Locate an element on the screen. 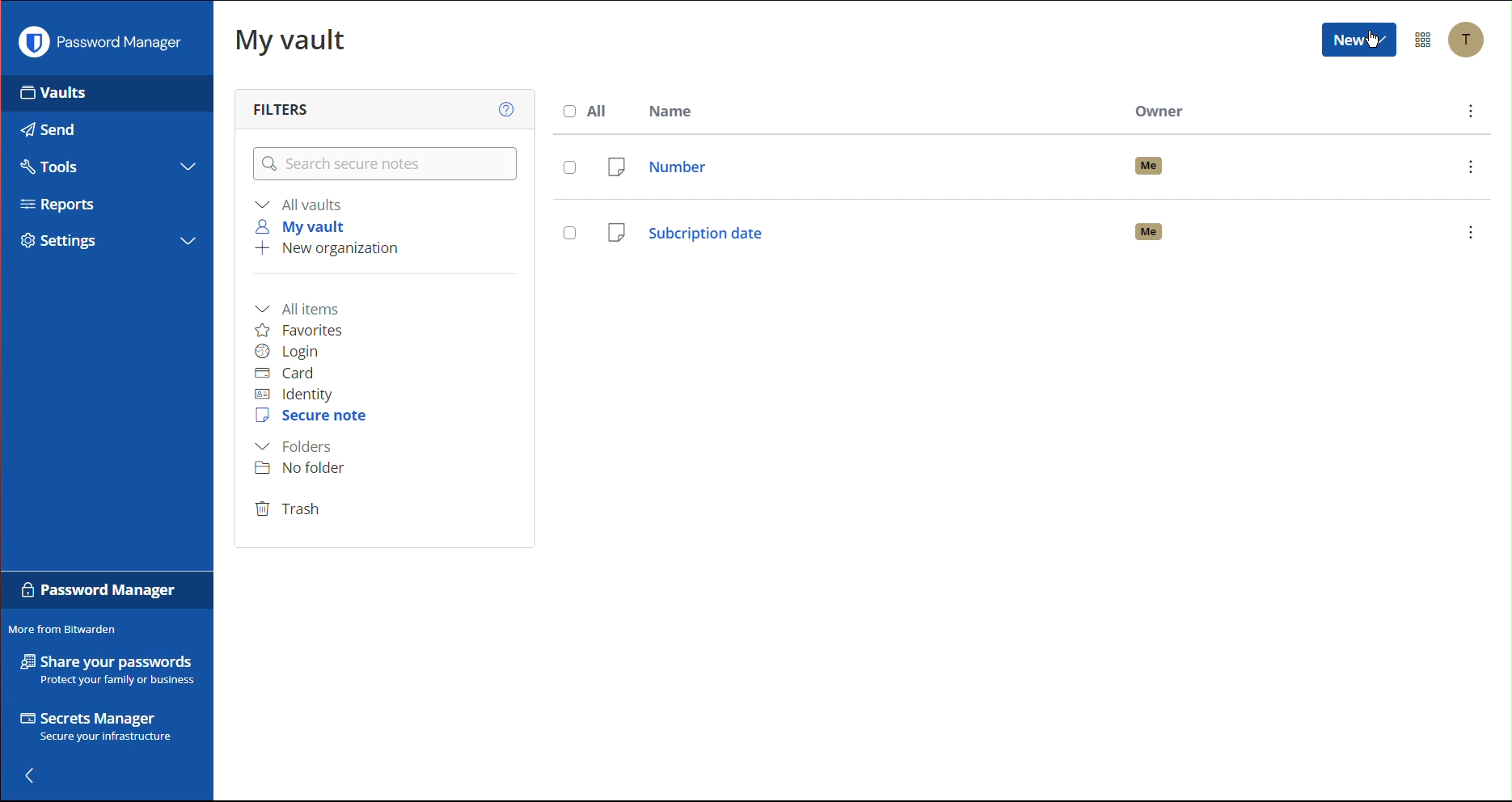  Filters is located at coordinates (278, 108).